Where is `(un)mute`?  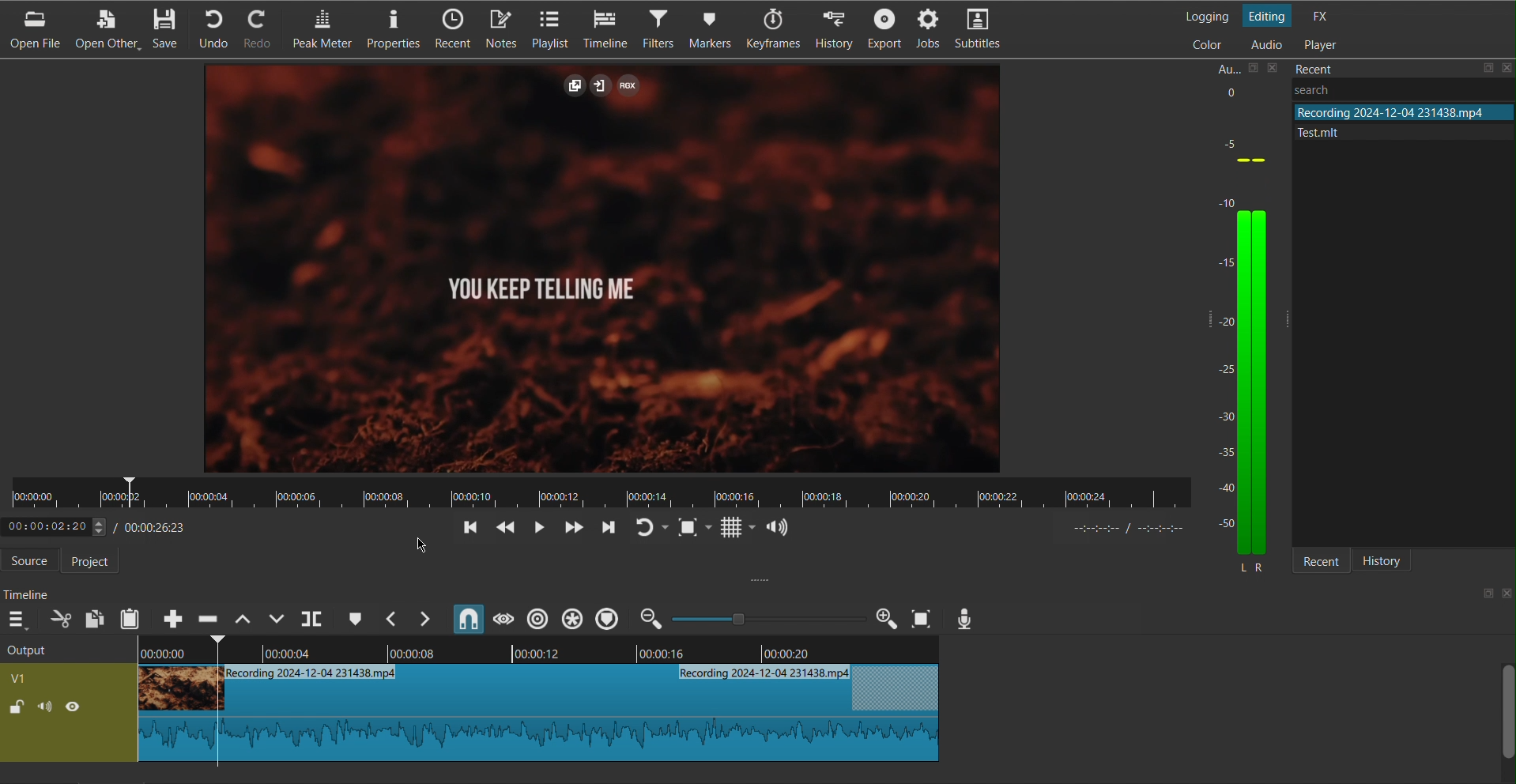
(un)mute is located at coordinates (47, 705).